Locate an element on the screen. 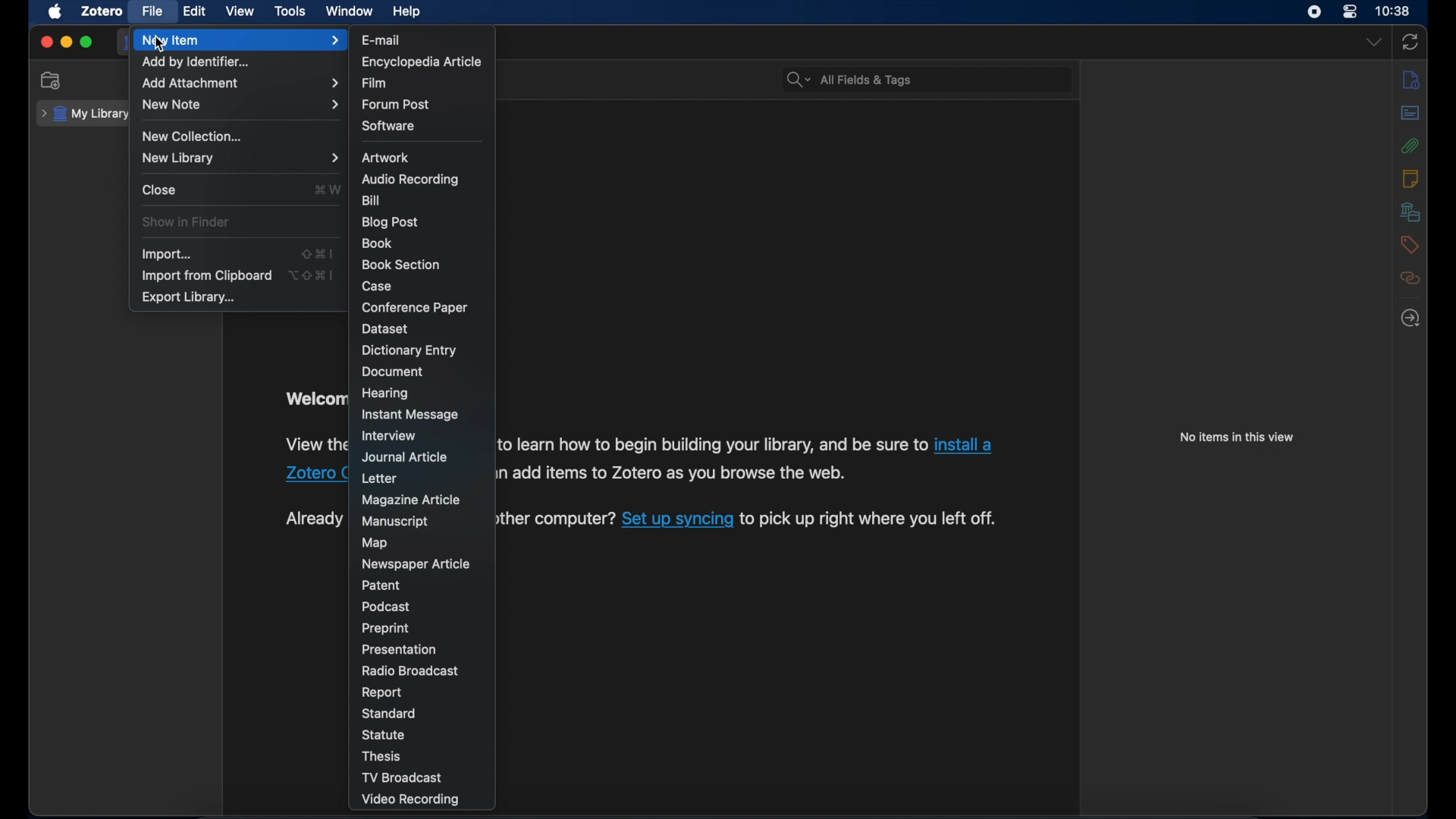 This screenshot has height=819, width=1456. map is located at coordinates (386, 544).